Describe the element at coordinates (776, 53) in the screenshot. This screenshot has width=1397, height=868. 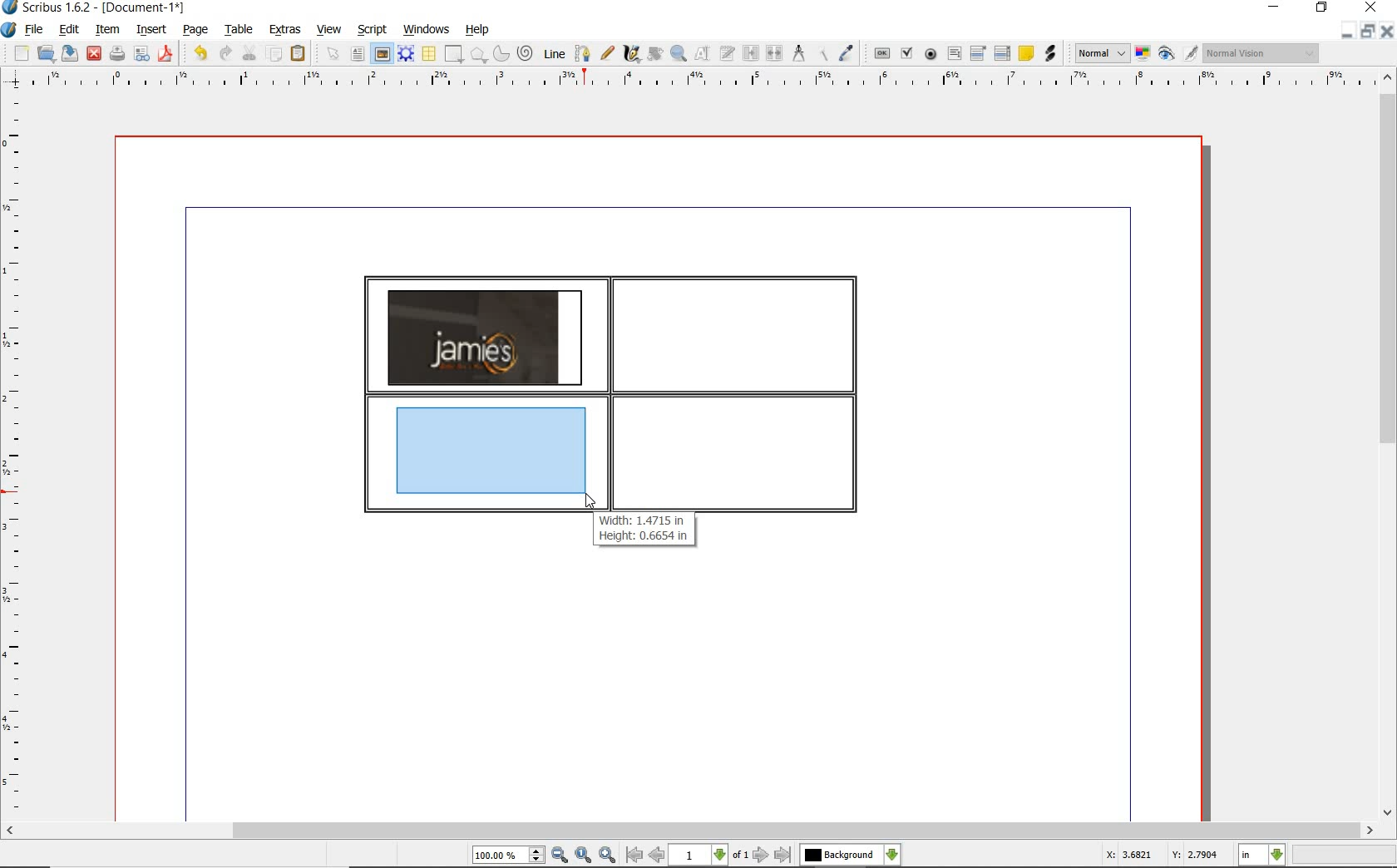
I see `unlink text frames` at that location.